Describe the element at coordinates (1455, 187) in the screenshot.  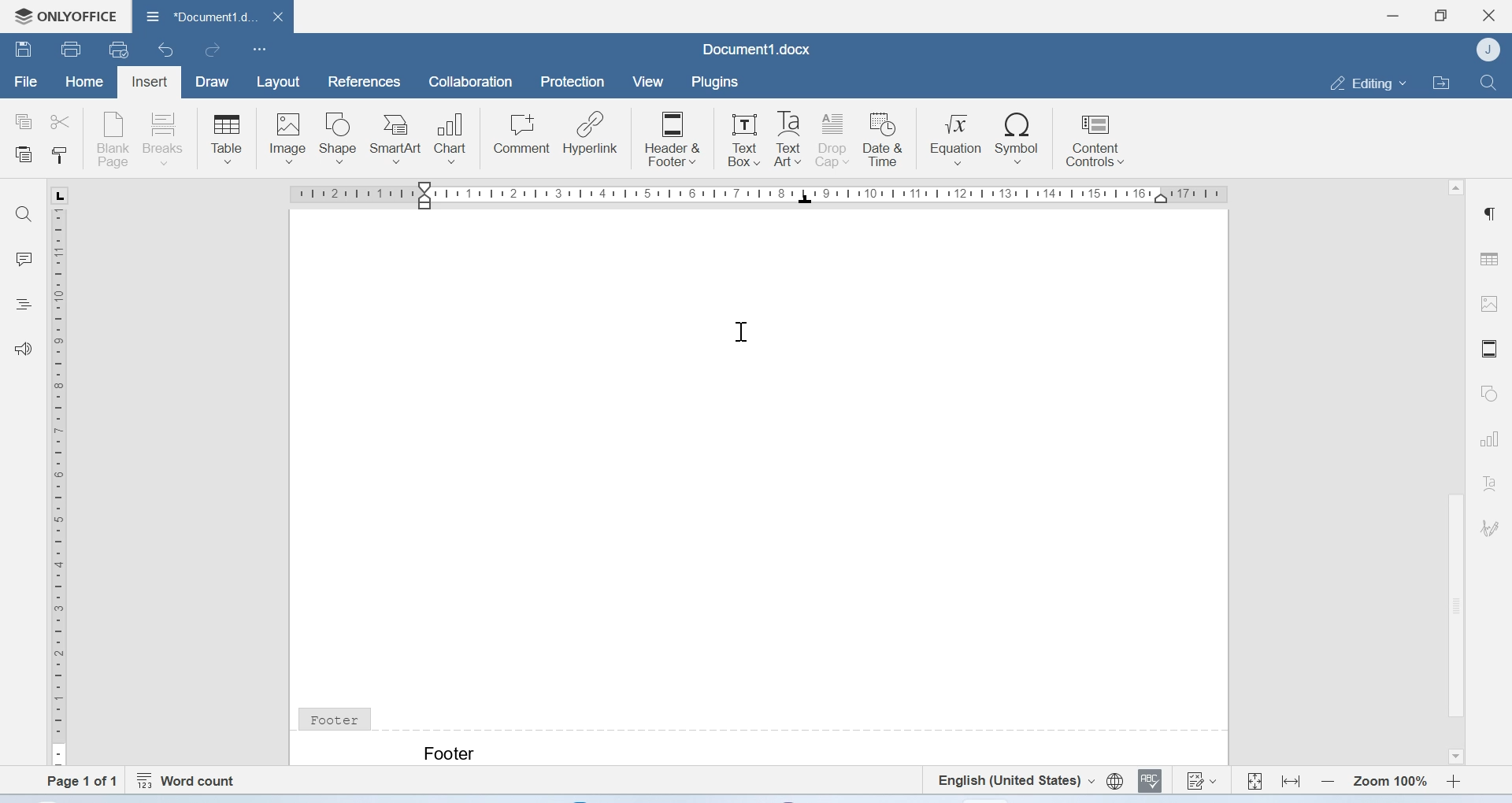
I see `Scroll up` at that location.